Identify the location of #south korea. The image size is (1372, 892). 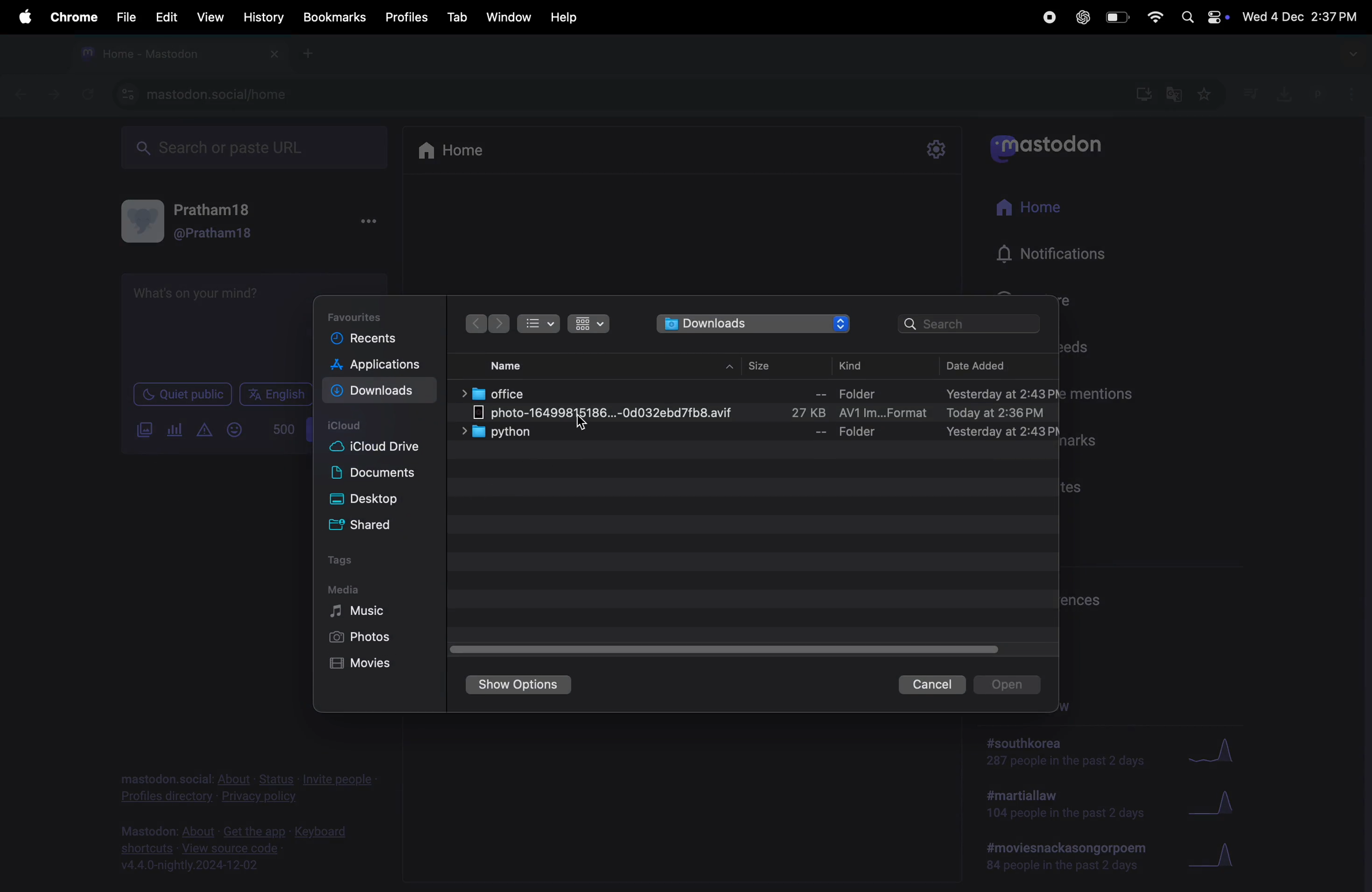
(1067, 751).